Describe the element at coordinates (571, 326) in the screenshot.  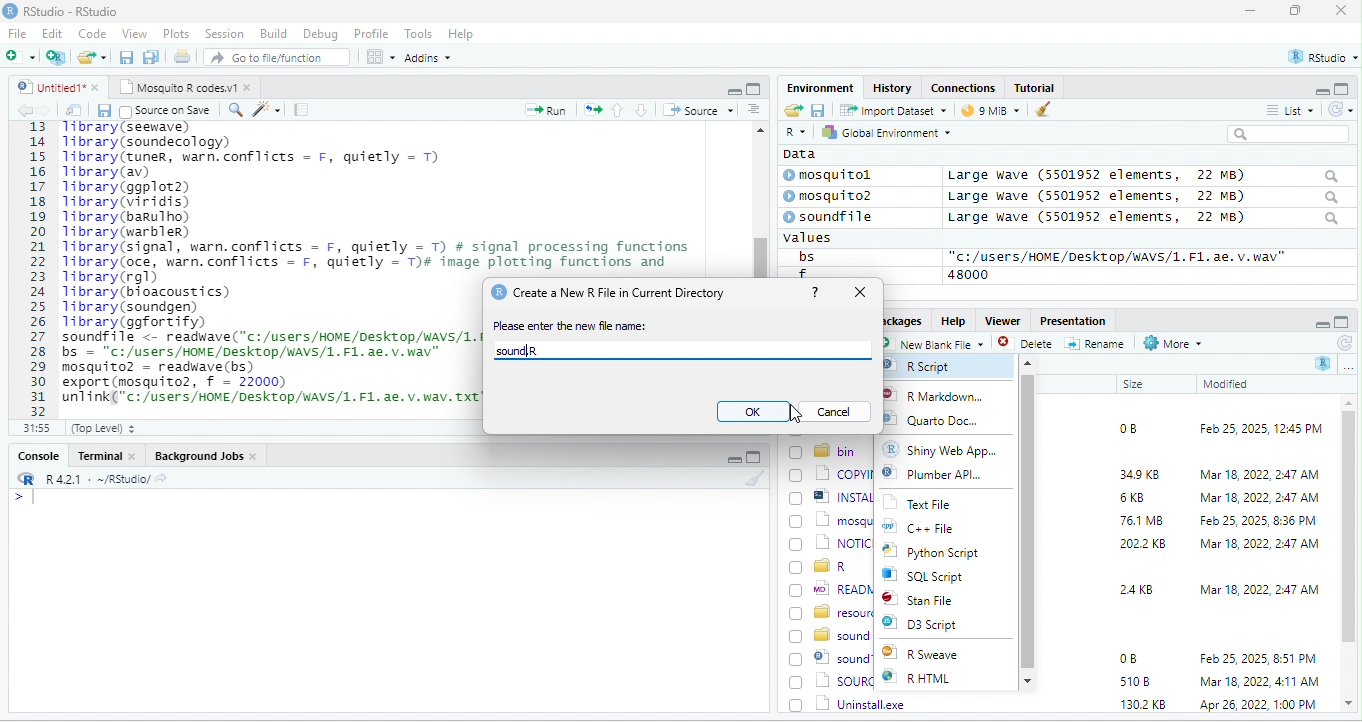
I see `Please enter the new file name:` at that location.